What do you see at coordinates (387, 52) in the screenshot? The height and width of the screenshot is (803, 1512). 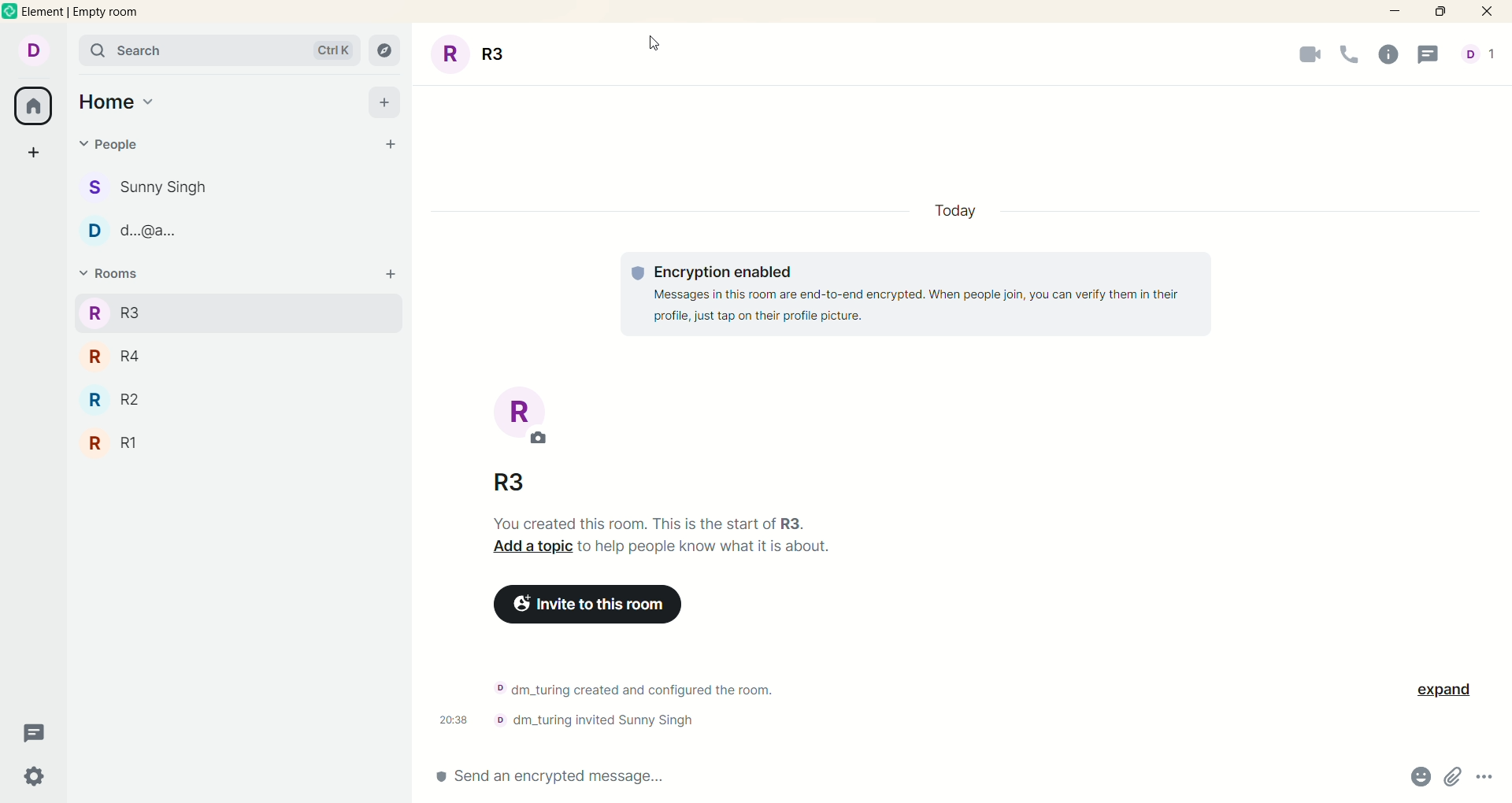 I see `explore rooms` at bounding box center [387, 52].